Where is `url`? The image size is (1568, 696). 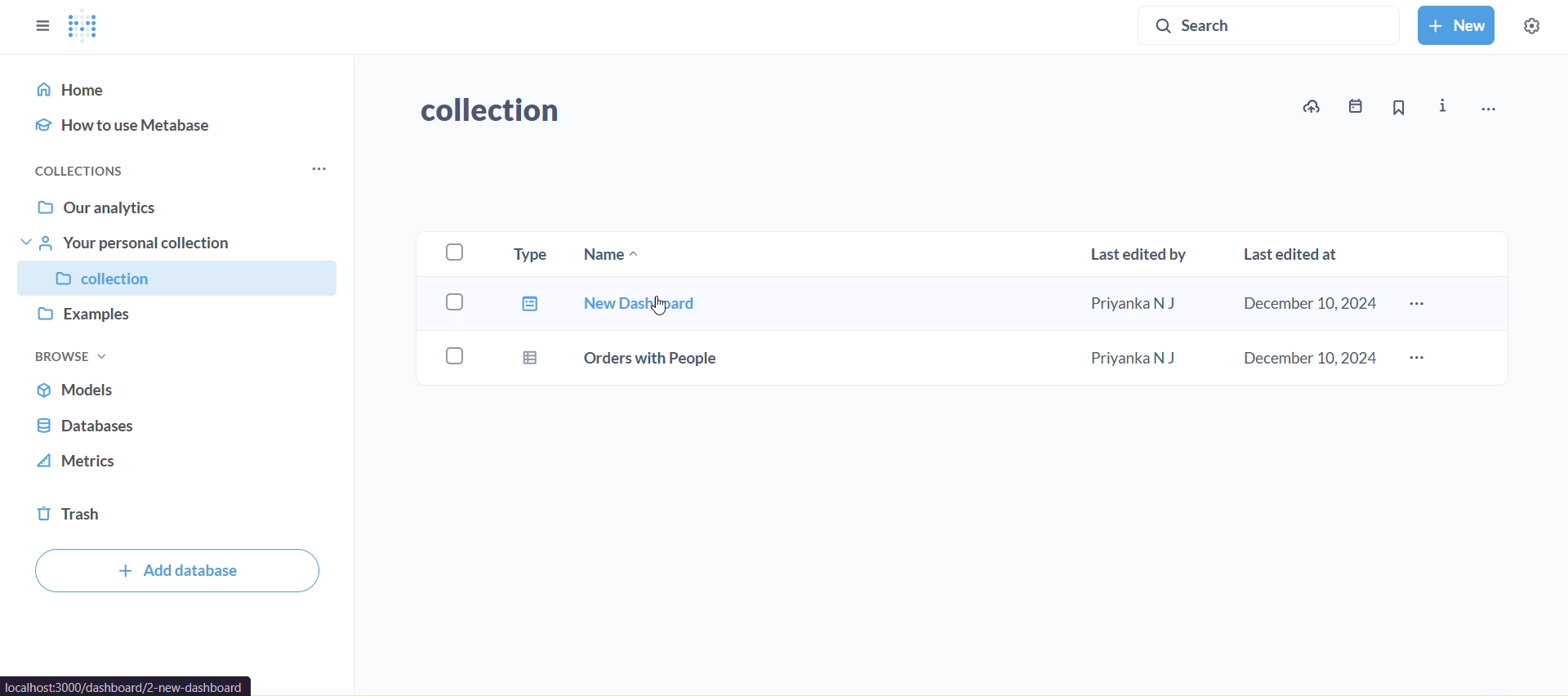 url is located at coordinates (127, 686).